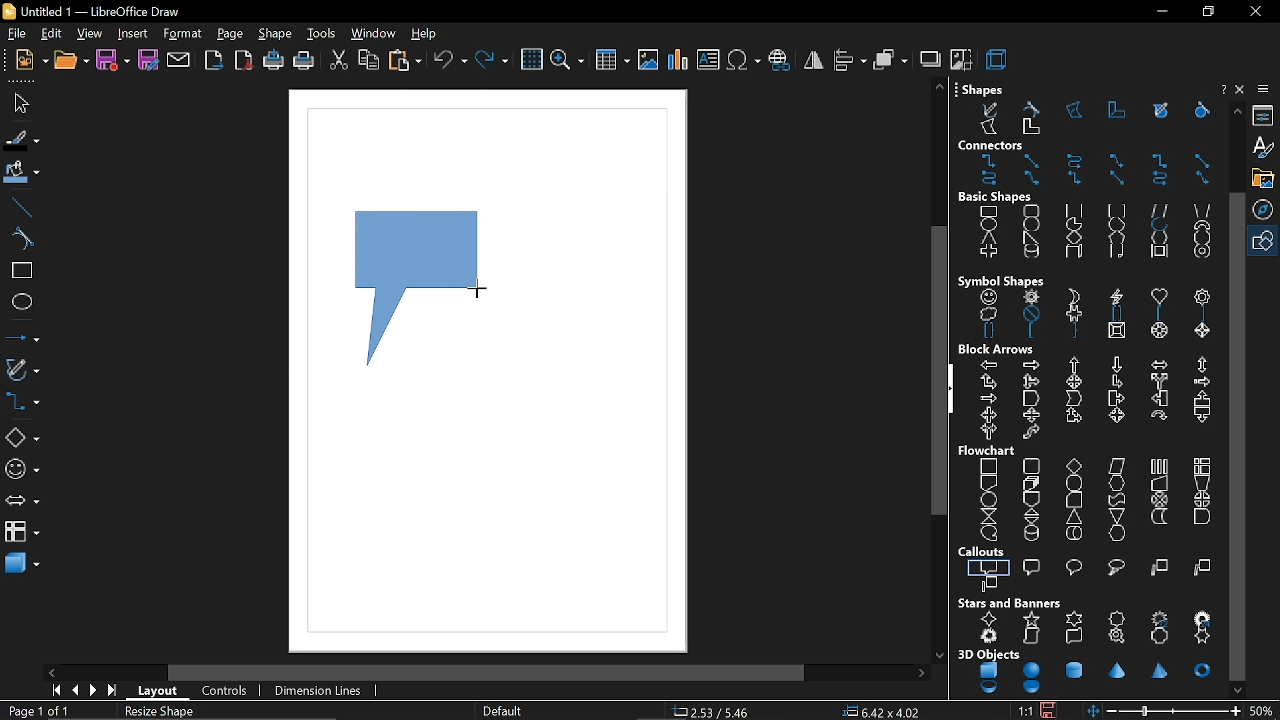 Image resolution: width=1280 pixels, height=720 pixels. I want to click on flowchart, so click(22, 532).